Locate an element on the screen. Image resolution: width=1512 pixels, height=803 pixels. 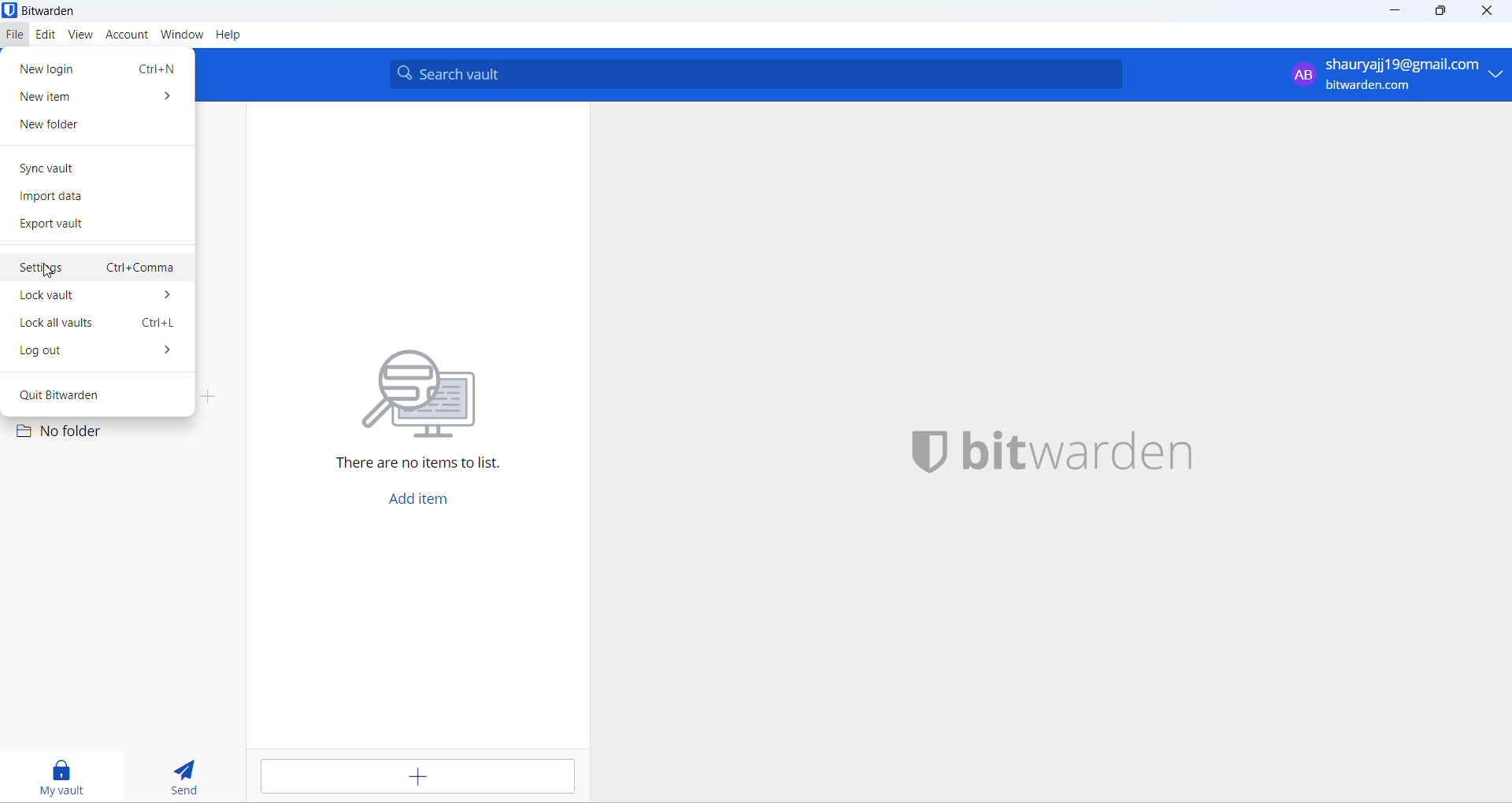
add item button is located at coordinates (417, 502).